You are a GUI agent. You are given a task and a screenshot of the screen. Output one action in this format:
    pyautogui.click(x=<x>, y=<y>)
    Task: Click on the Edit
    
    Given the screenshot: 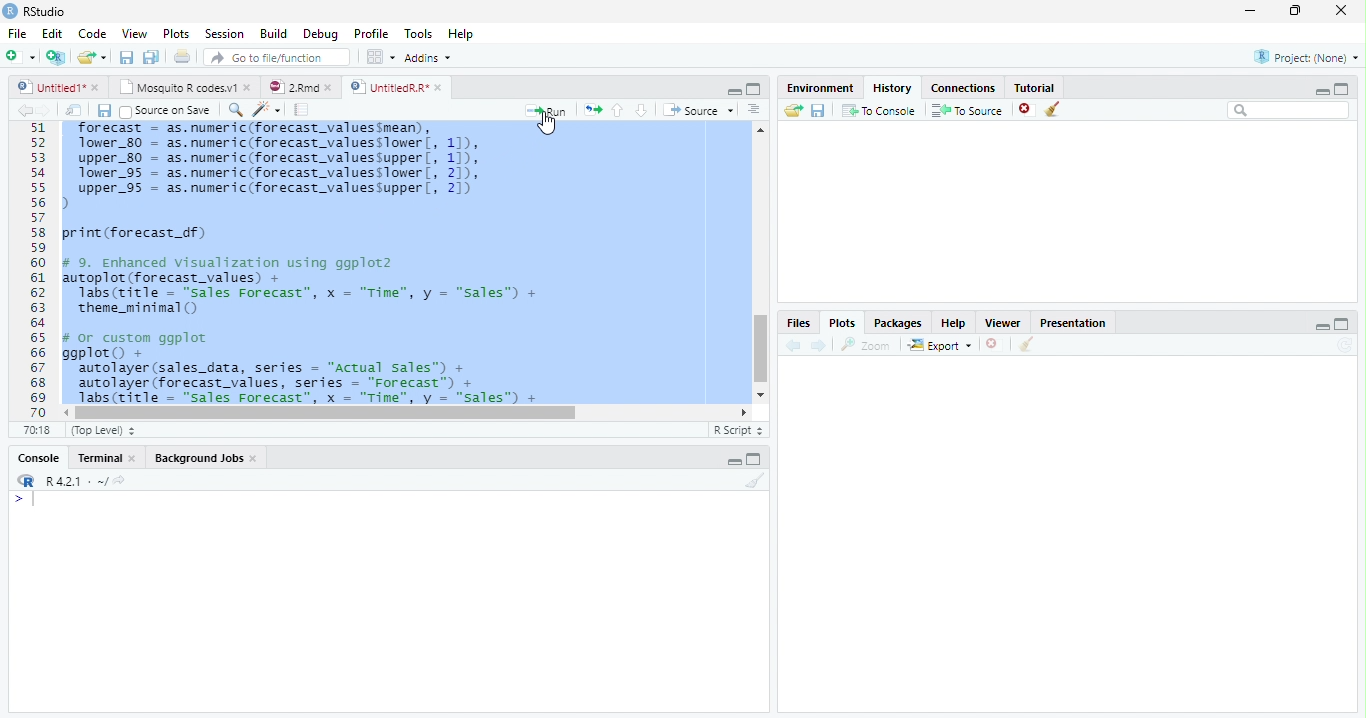 What is the action you would take?
    pyautogui.click(x=53, y=33)
    